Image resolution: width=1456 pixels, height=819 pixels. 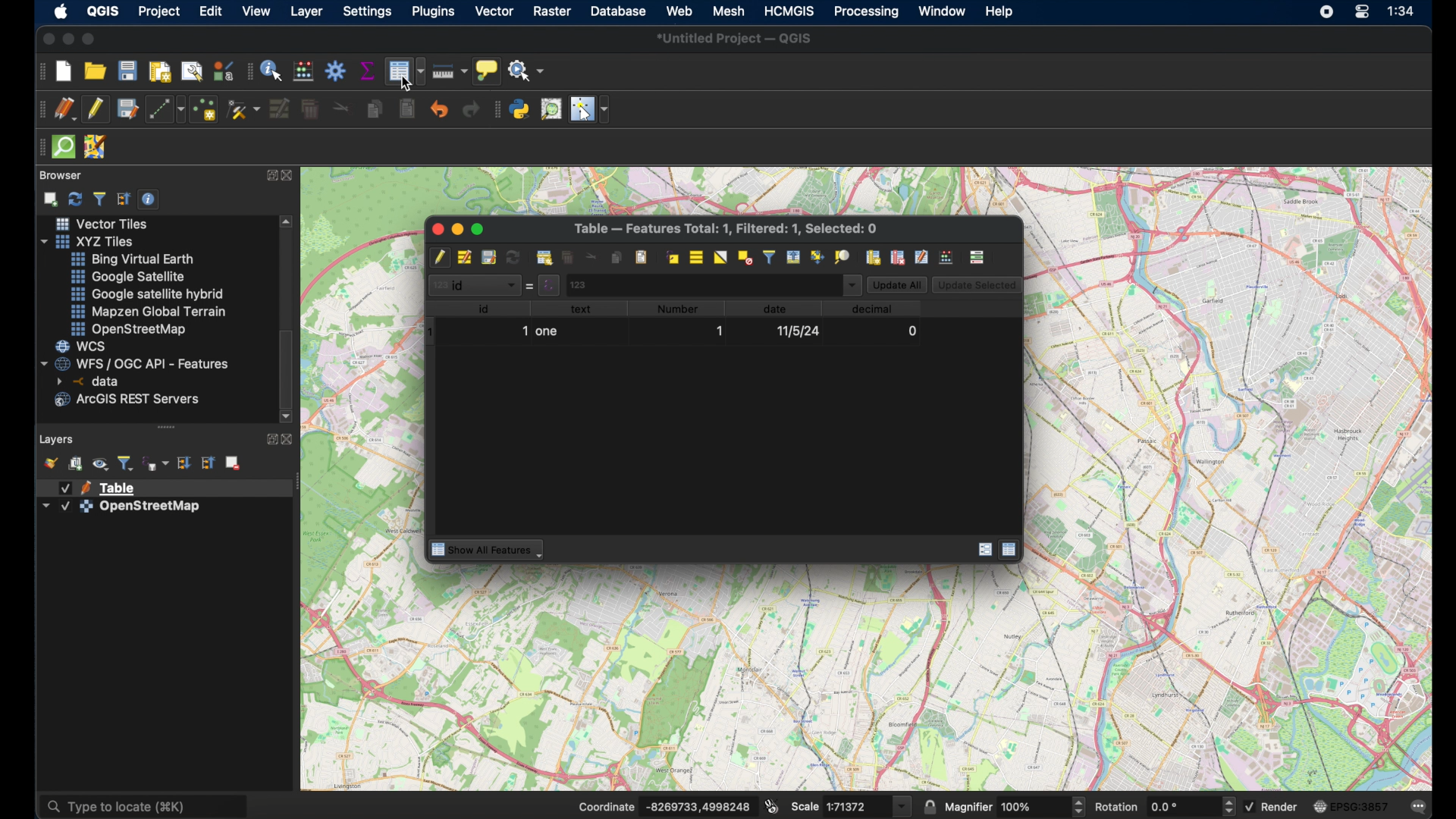 I want to click on no action selected, so click(x=527, y=70).